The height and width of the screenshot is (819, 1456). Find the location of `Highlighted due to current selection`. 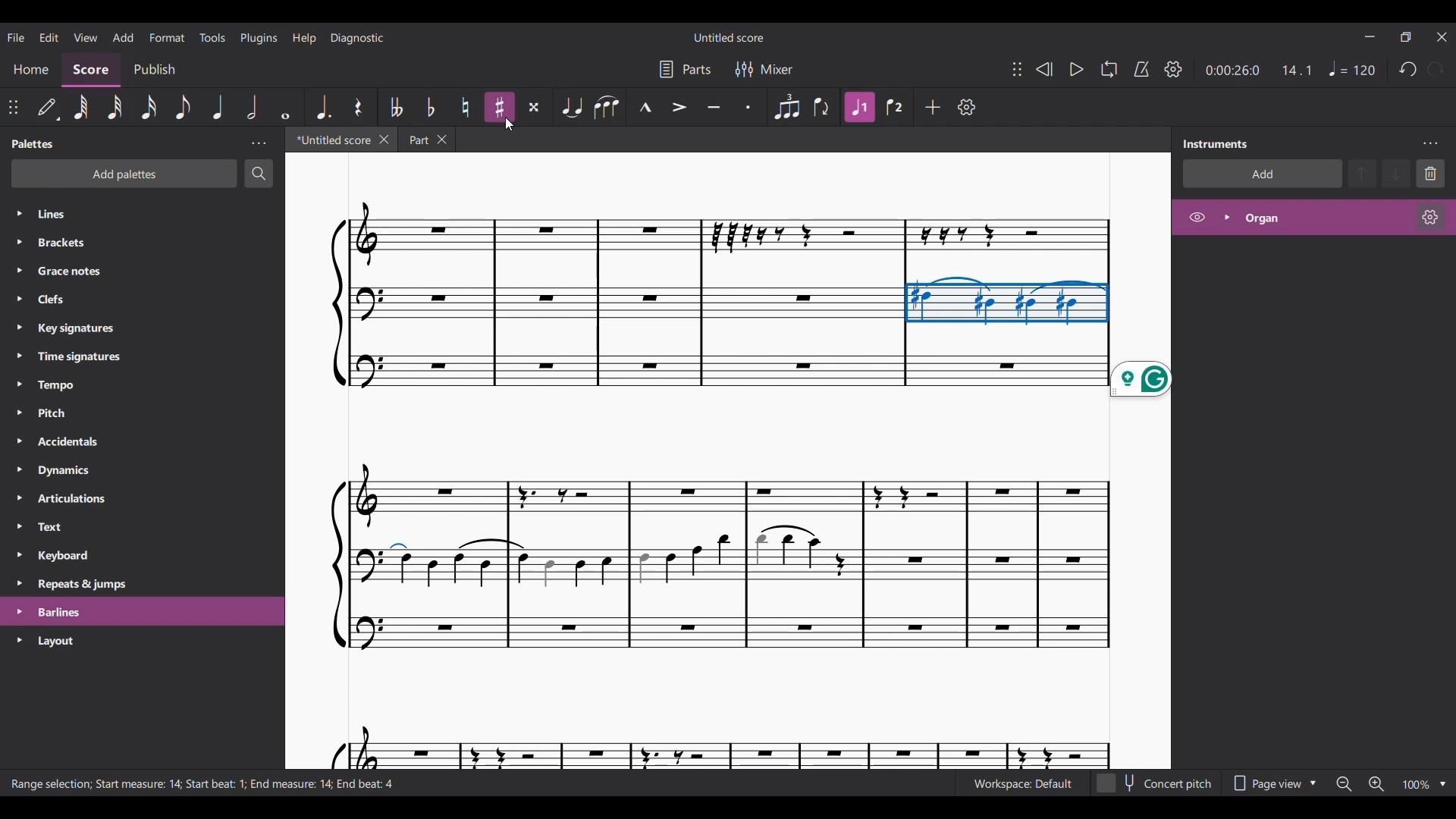

Highlighted due to current selection is located at coordinates (860, 107).